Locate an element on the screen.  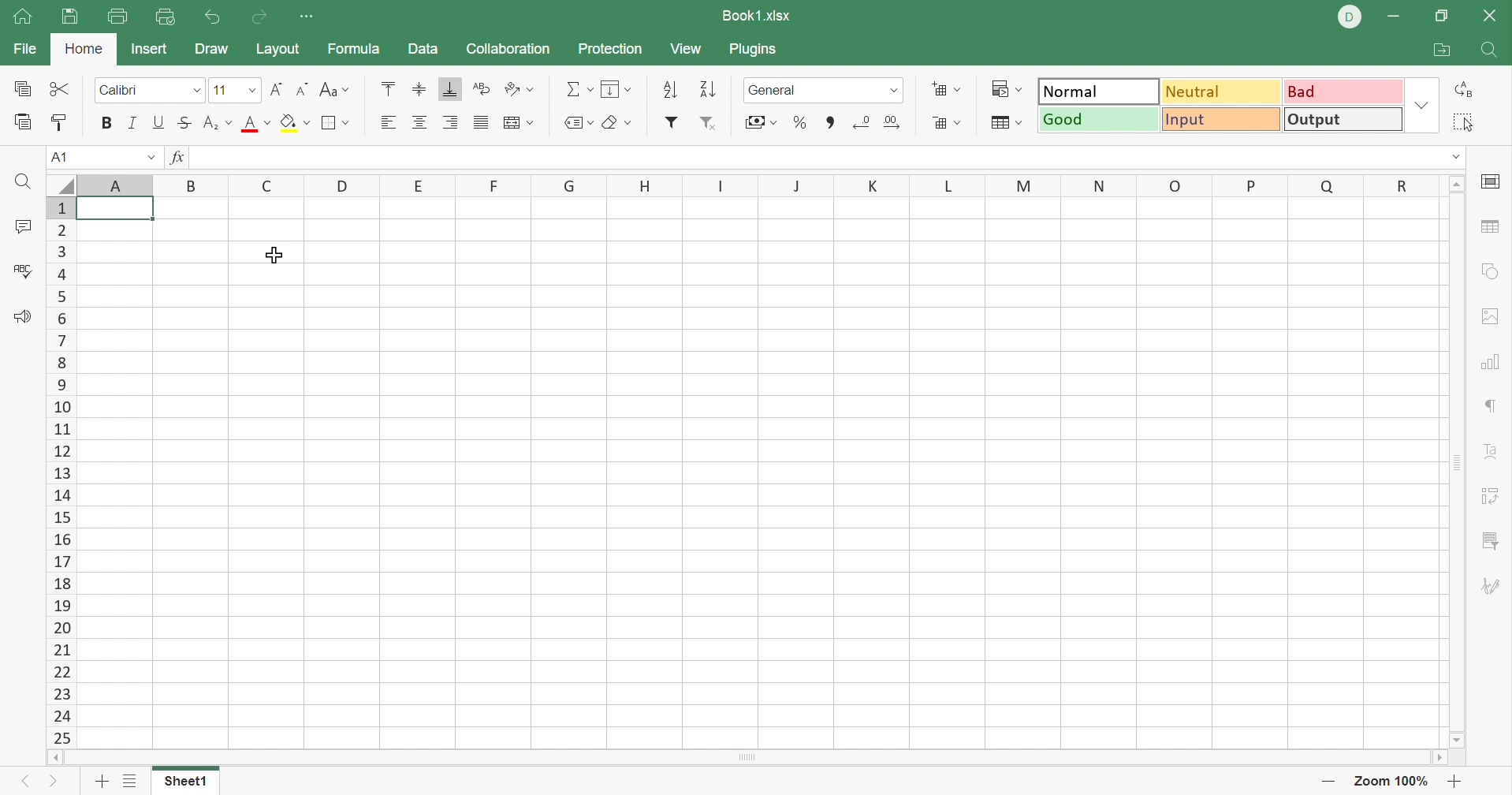
Copy is located at coordinates (25, 88).